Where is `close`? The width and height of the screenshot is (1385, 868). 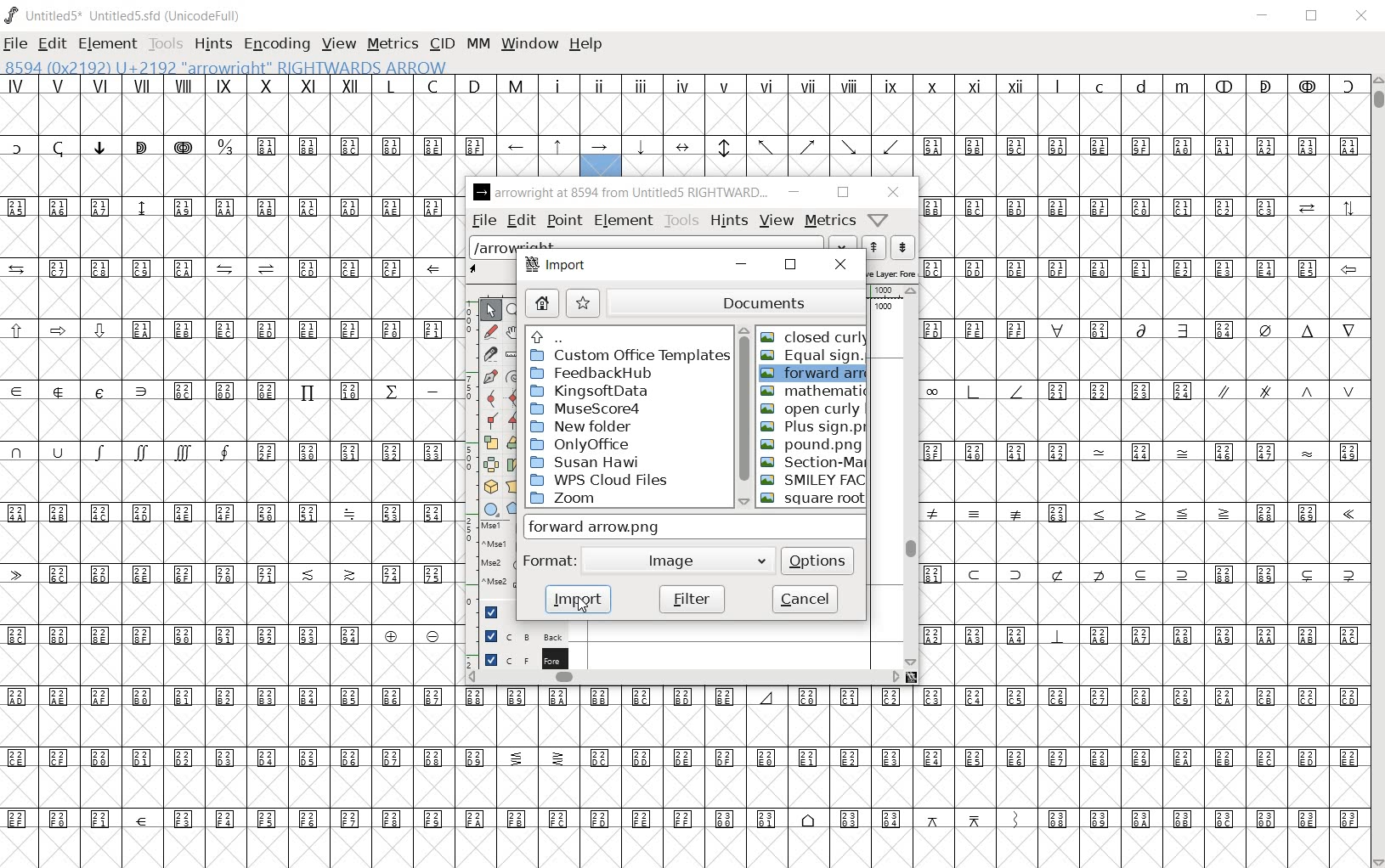
close is located at coordinates (839, 265).